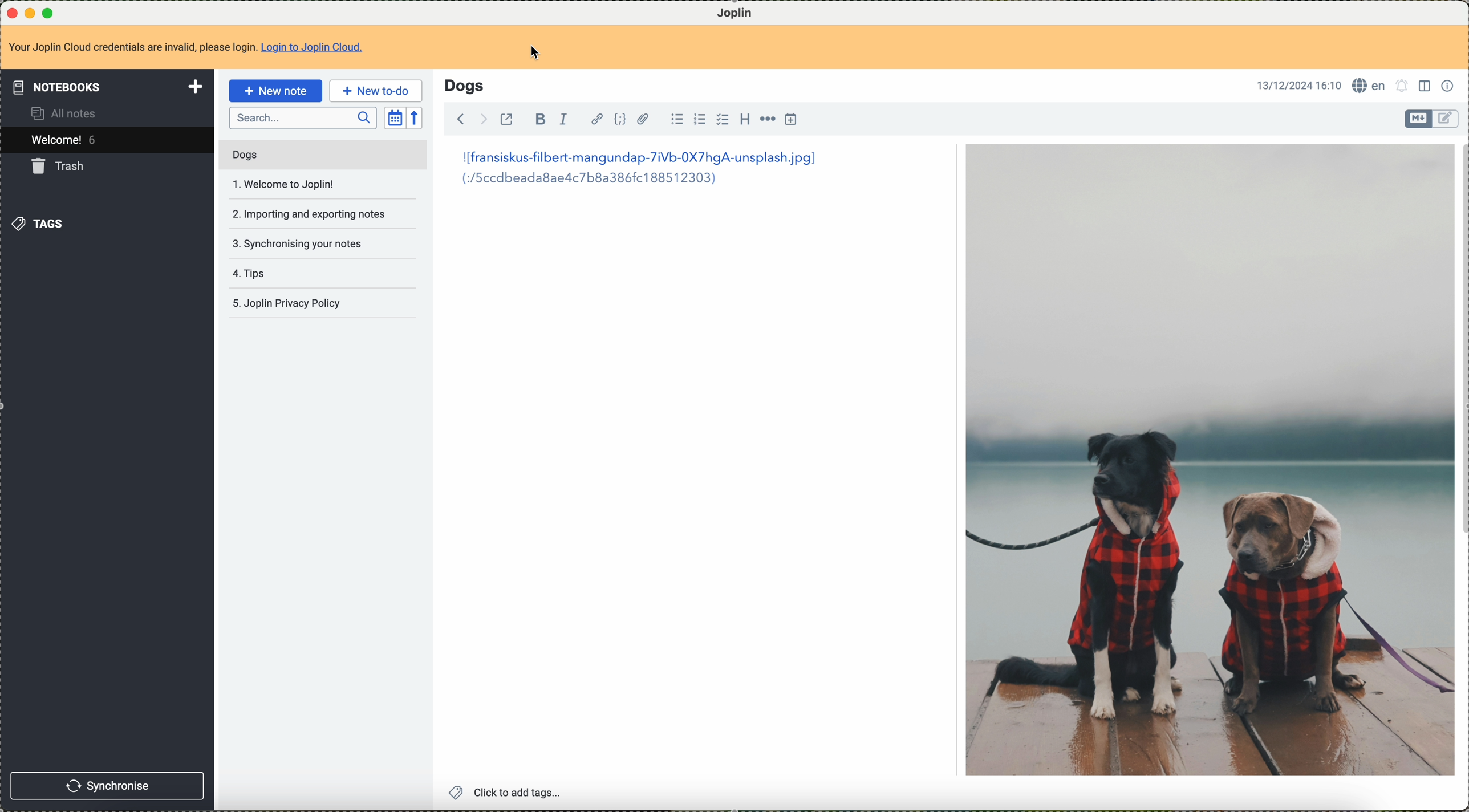 The image size is (1469, 812). Describe the element at coordinates (1451, 87) in the screenshot. I see `note properties` at that location.